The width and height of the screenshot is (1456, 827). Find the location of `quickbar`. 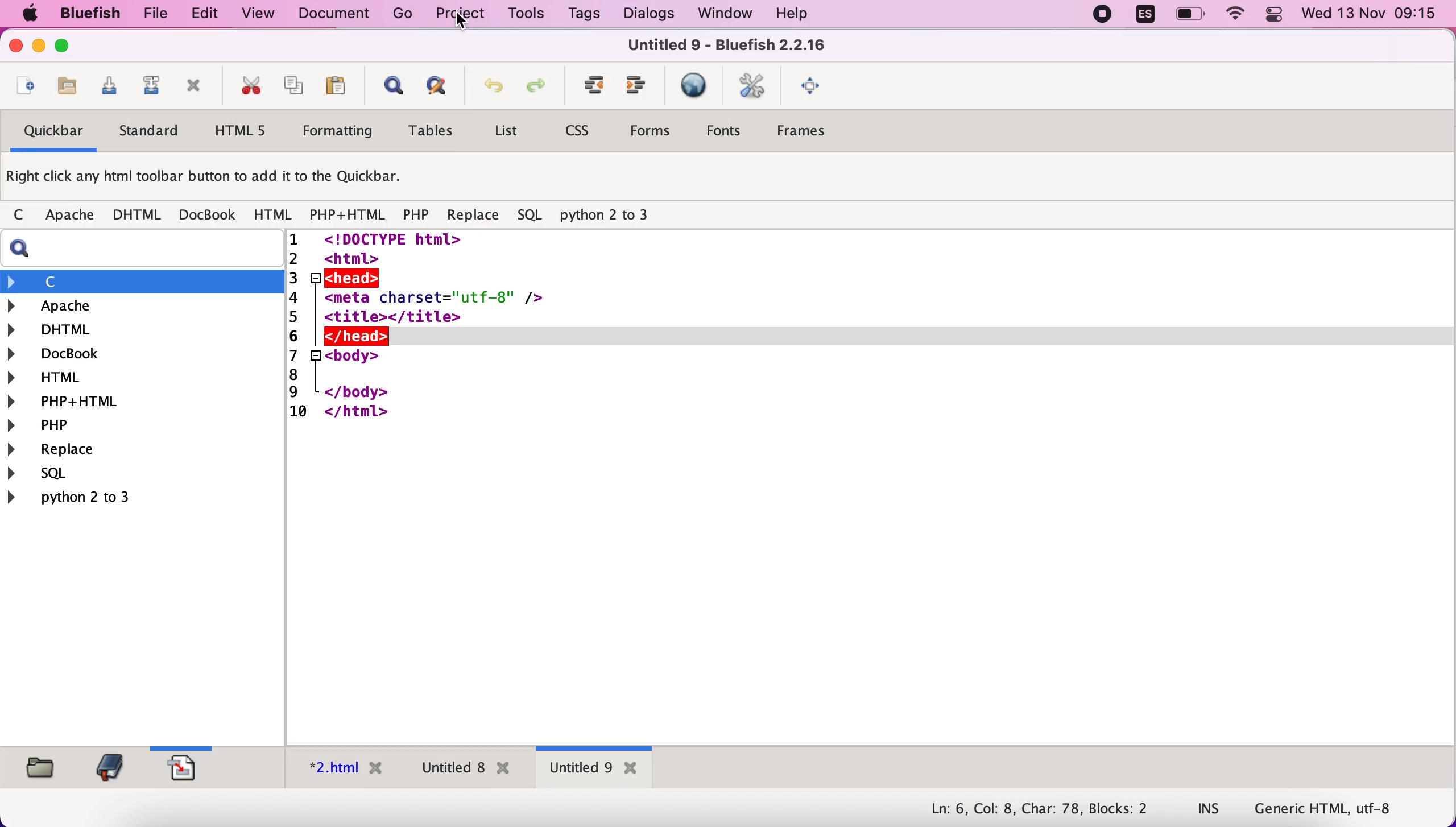

quickbar is located at coordinates (50, 134).